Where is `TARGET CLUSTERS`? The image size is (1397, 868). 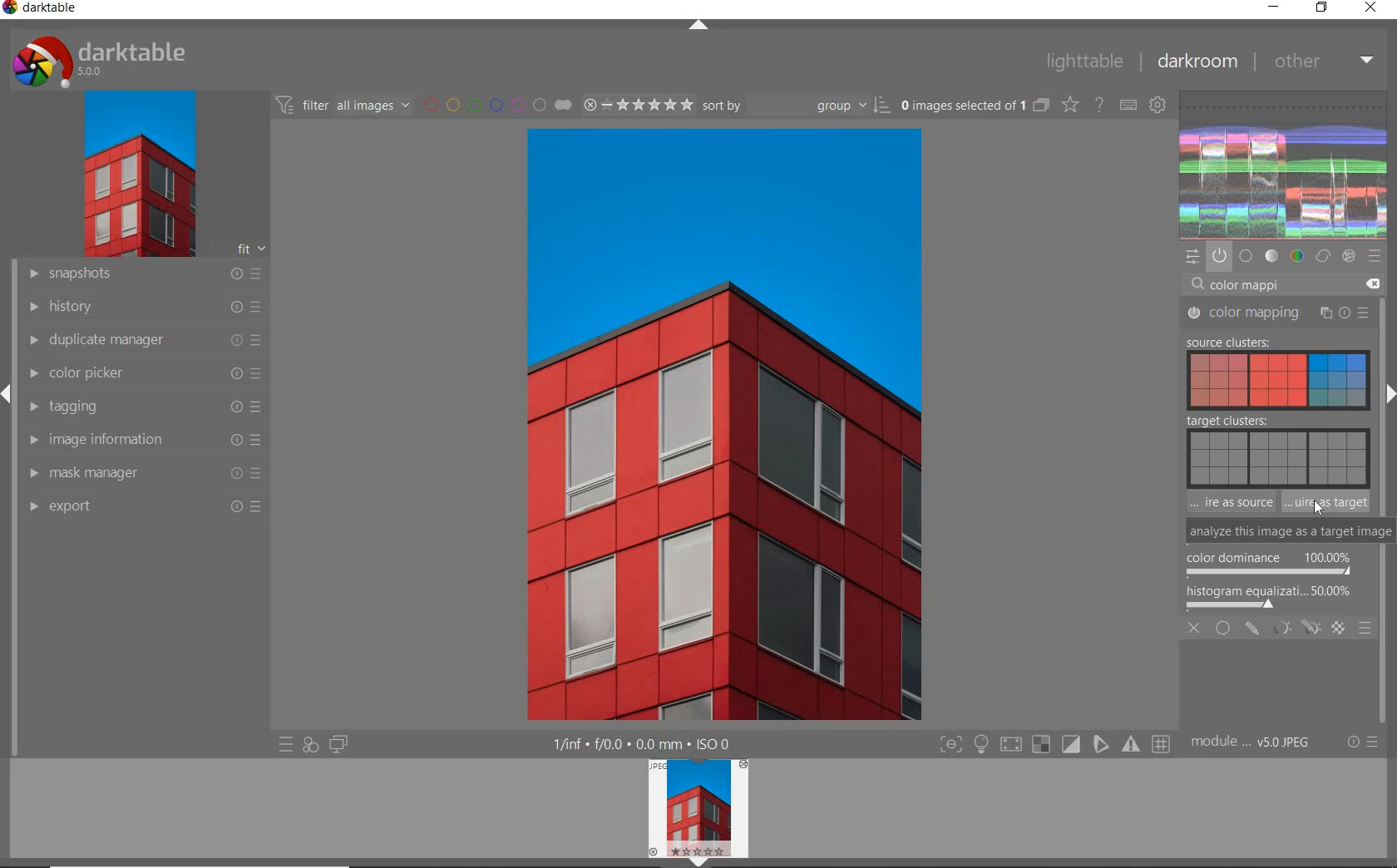
TARGET CLUSTERS is located at coordinates (1274, 449).